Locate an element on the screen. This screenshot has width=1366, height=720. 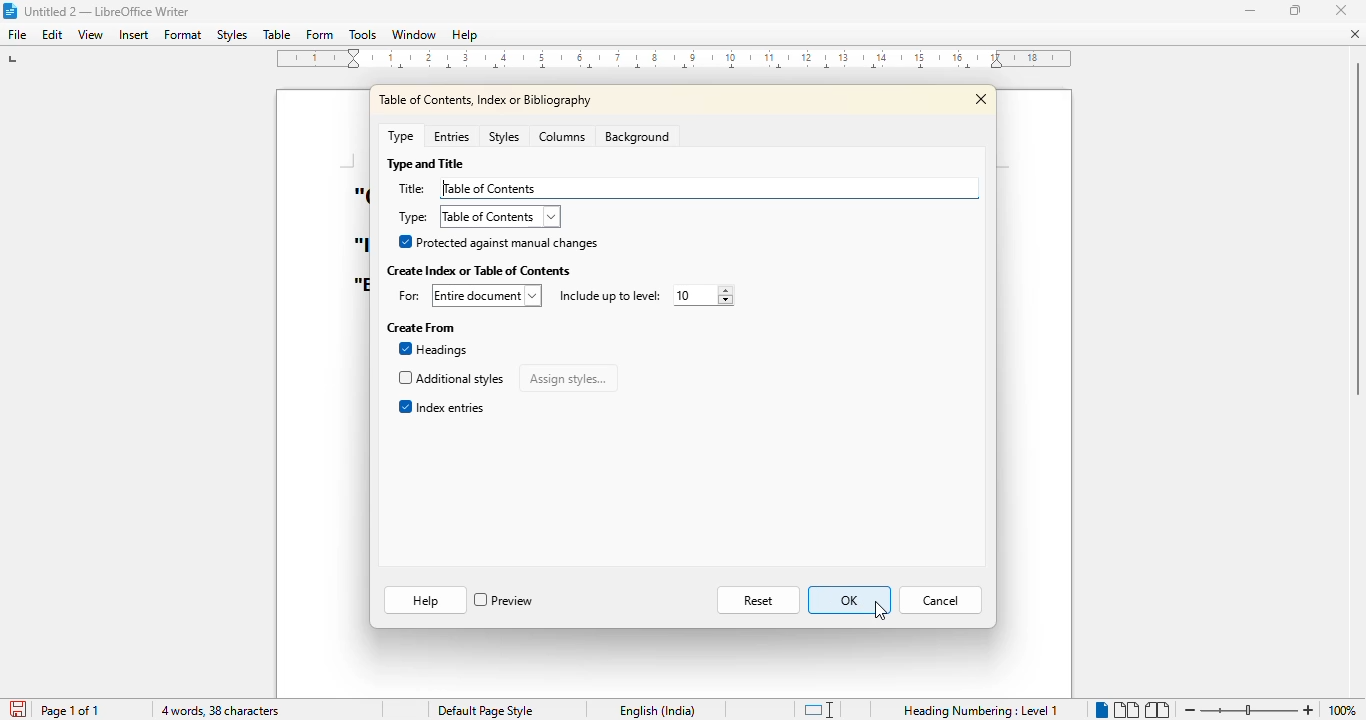
background is located at coordinates (638, 136).